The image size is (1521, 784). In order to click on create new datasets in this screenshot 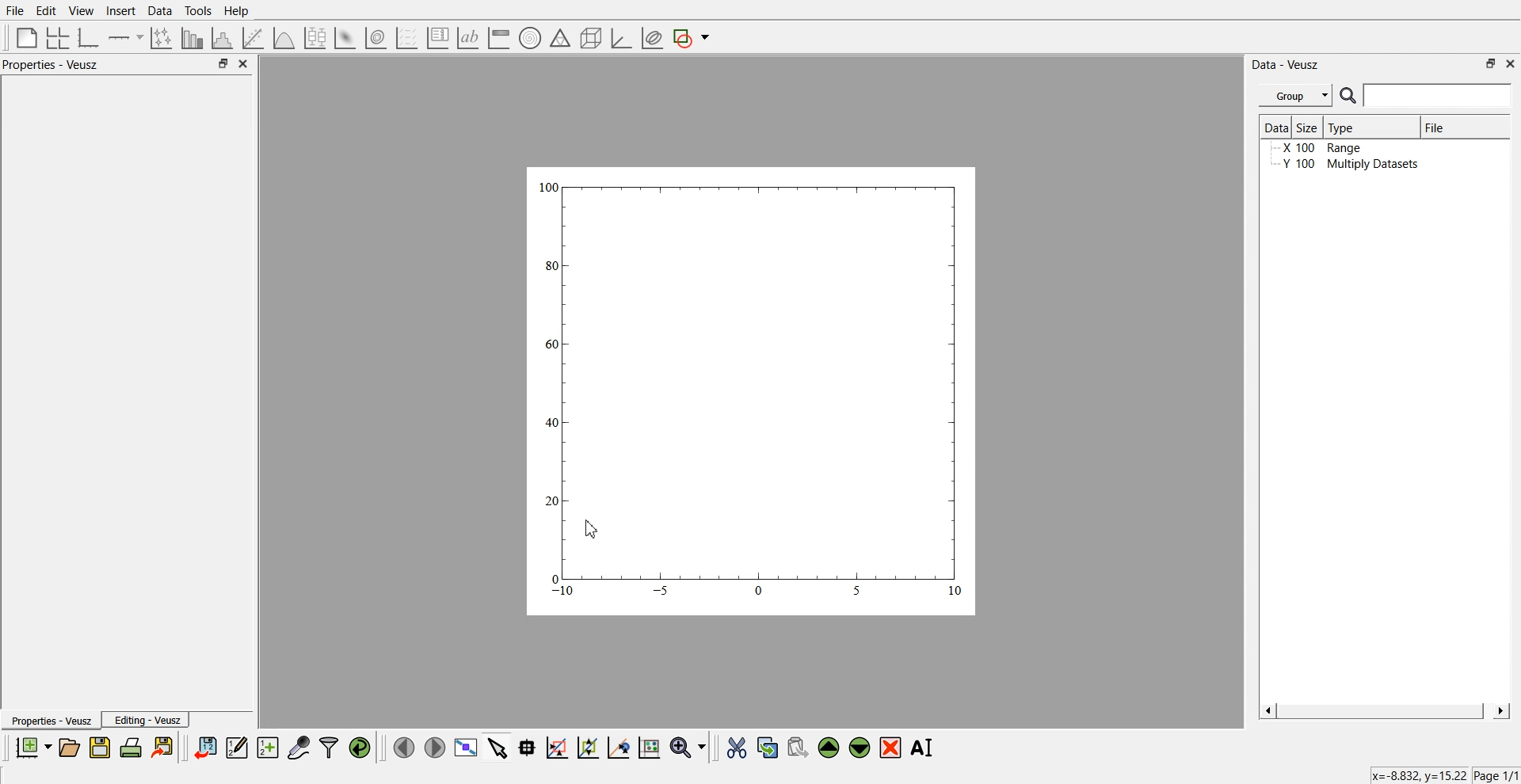, I will do `click(268, 748)`.